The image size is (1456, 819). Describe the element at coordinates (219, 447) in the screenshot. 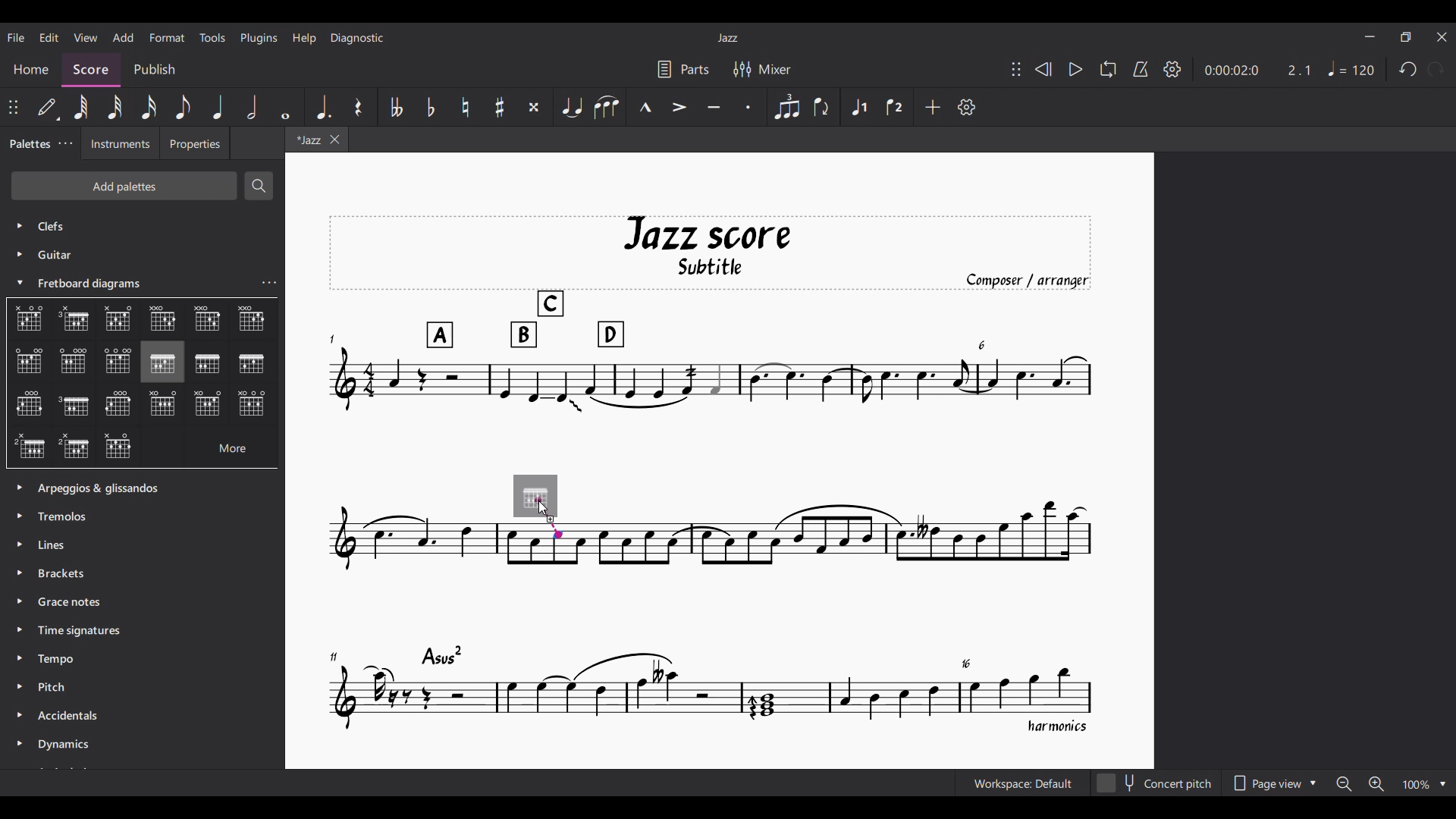

I see `More` at that location.